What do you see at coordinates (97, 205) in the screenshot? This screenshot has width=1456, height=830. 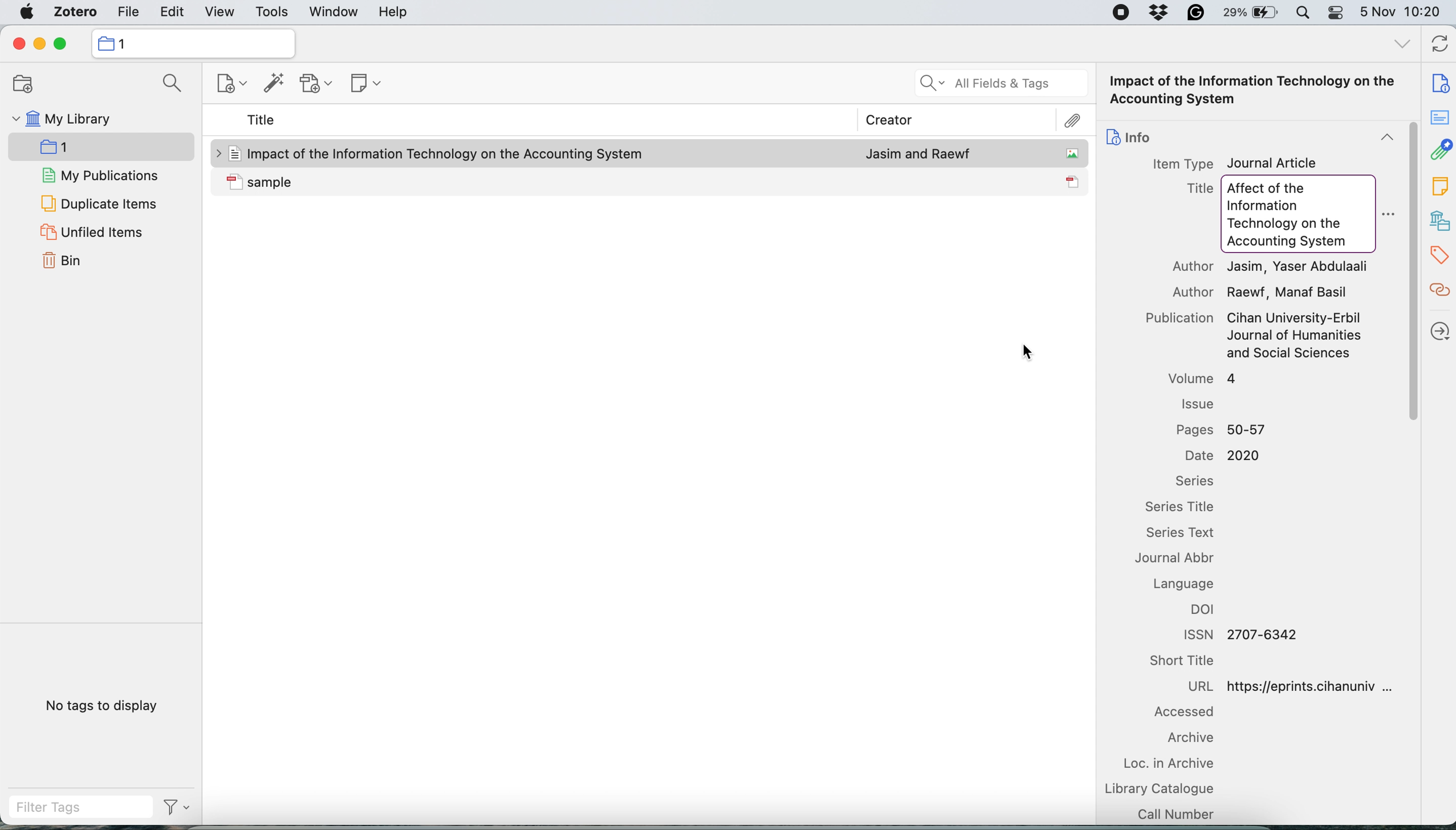 I see `duplicate items` at bounding box center [97, 205].